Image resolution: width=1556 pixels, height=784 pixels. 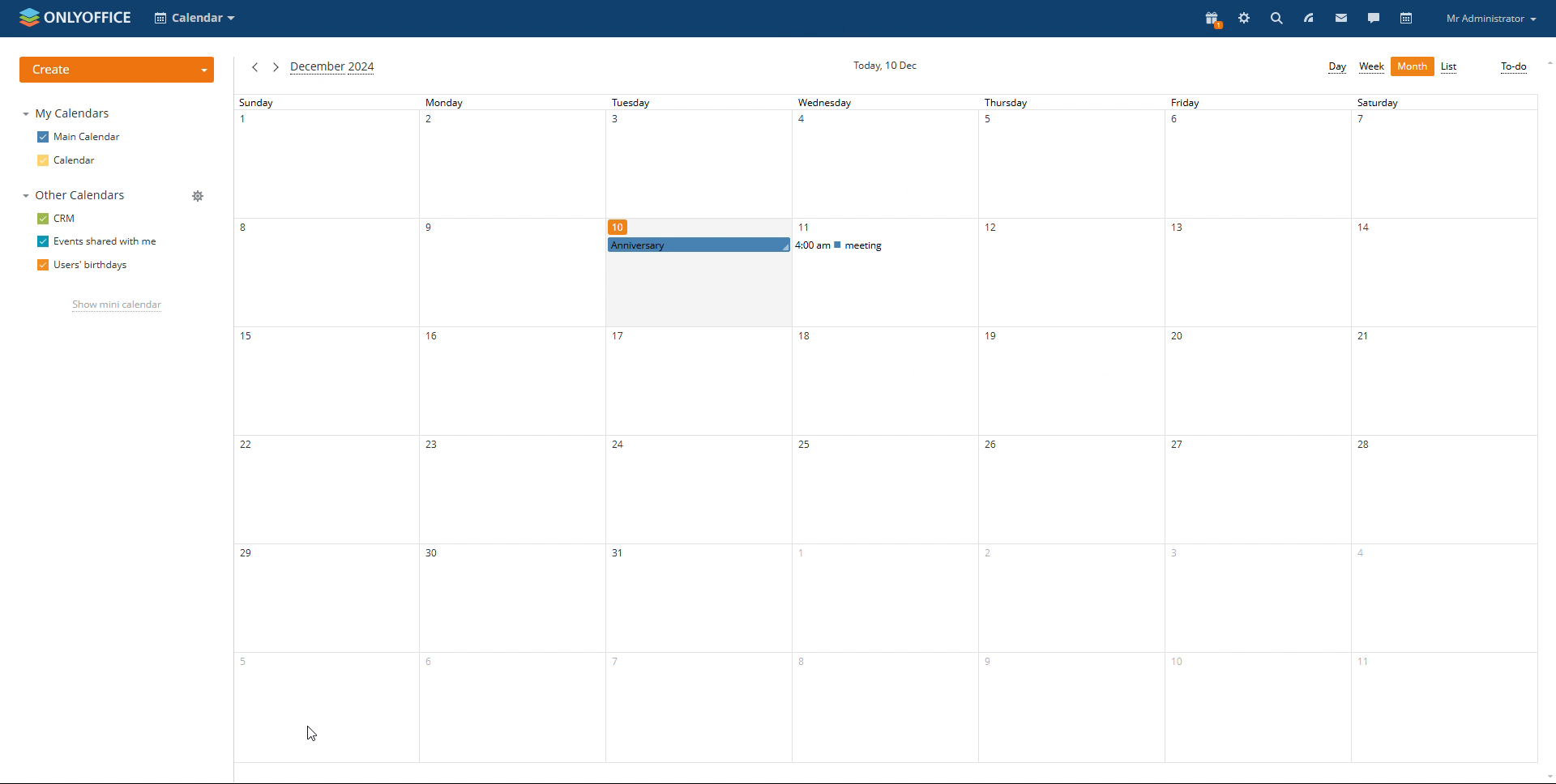 What do you see at coordinates (323, 437) in the screenshot?
I see `sunday` at bounding box center [323, 437].